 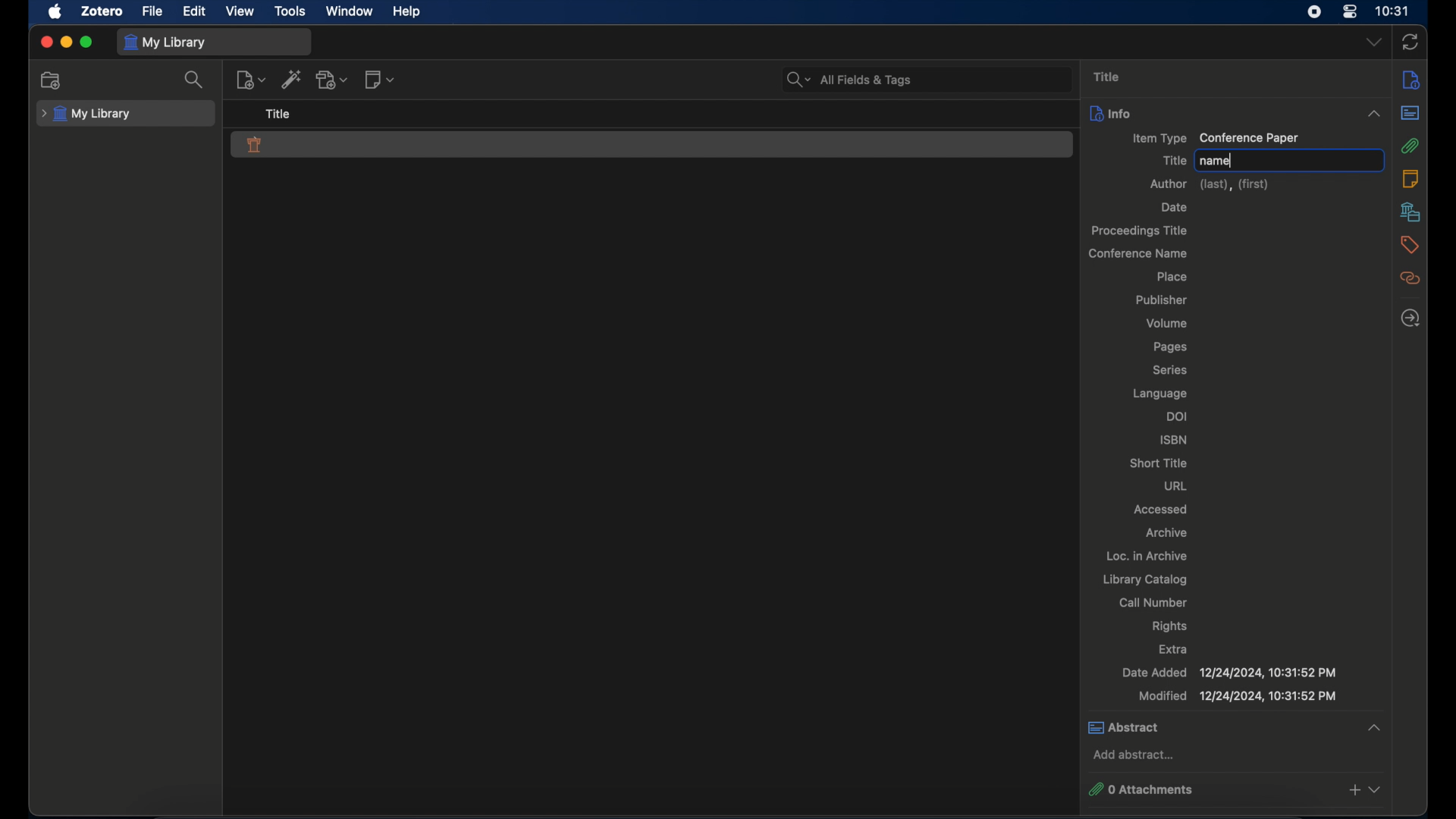 I want to click on add item by identifier, so click(x=293, y=79).